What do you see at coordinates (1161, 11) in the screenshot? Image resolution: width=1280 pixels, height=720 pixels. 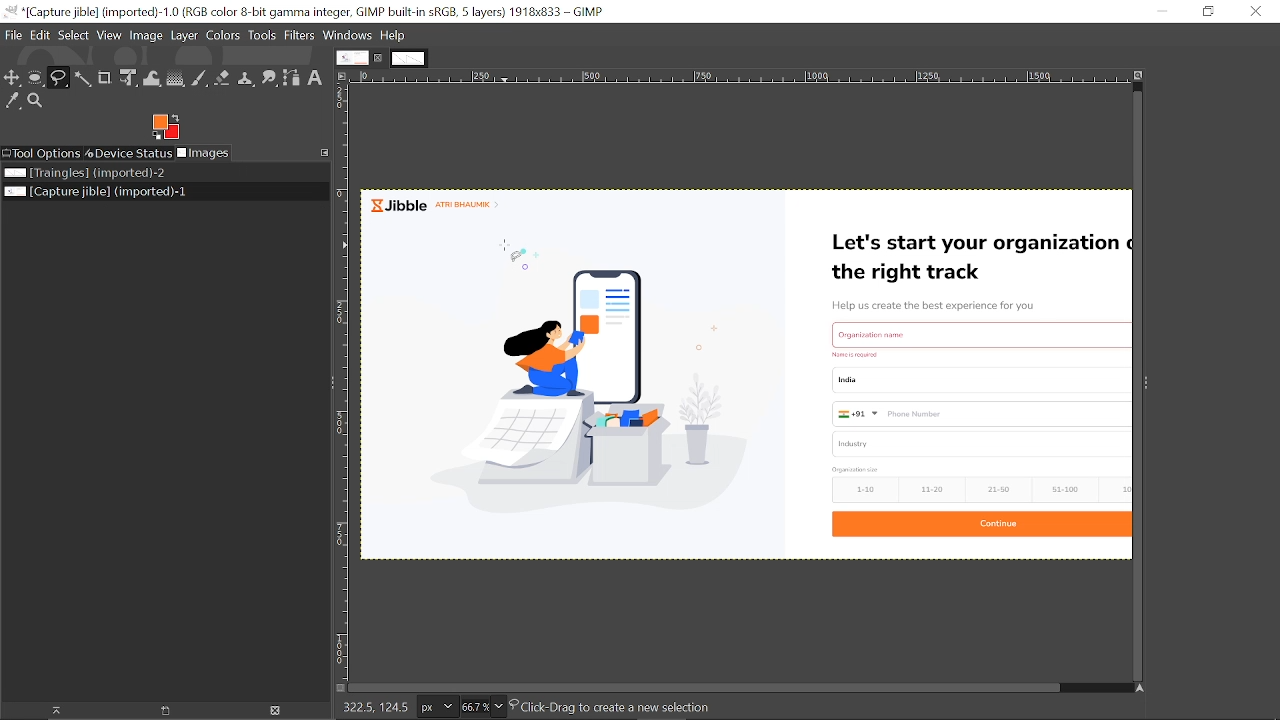 I see `Minimize` at bounding box center [1161, 11].